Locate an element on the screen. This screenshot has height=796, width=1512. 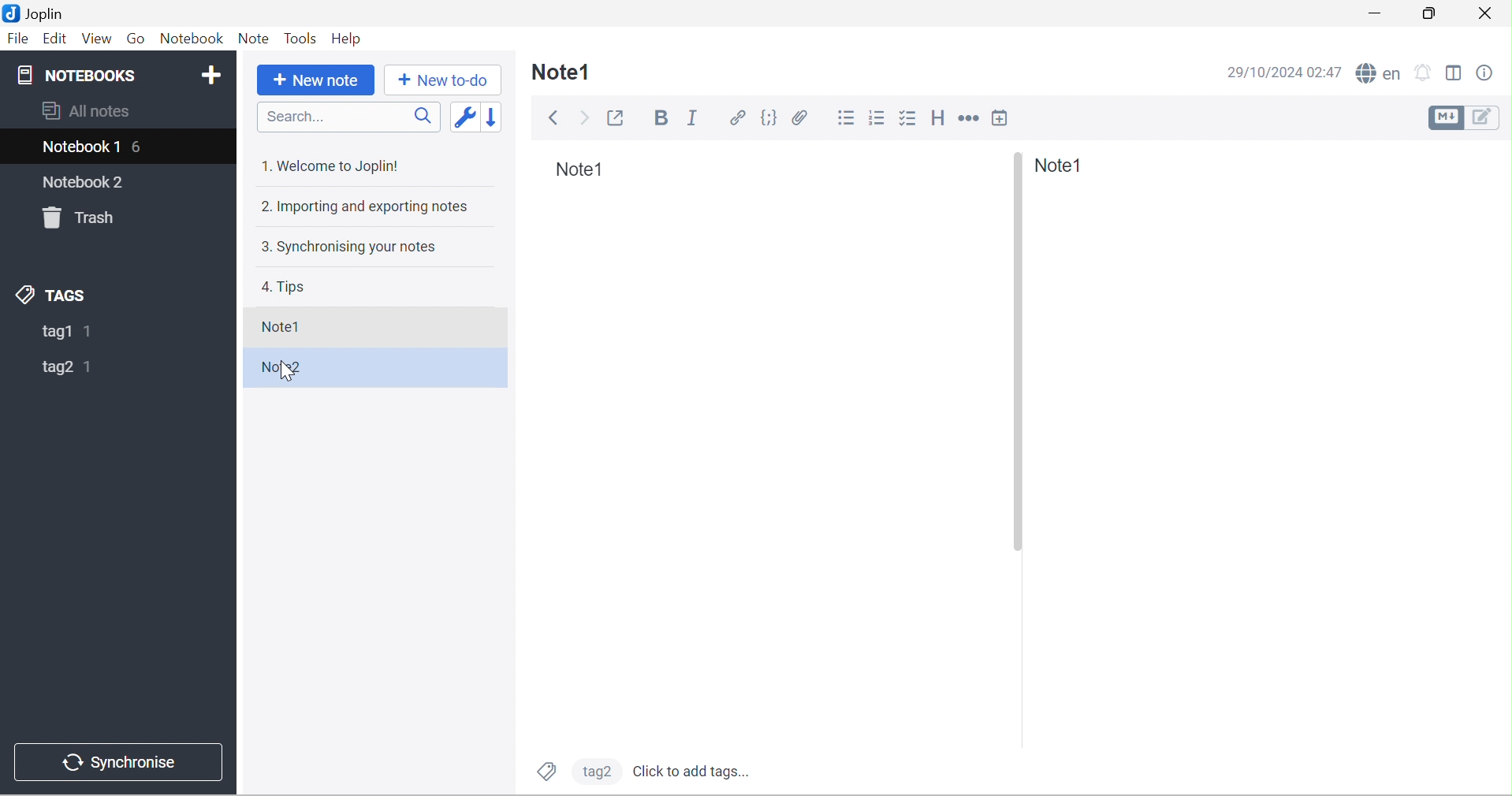
+New Note is located at coordinates (315, 82).